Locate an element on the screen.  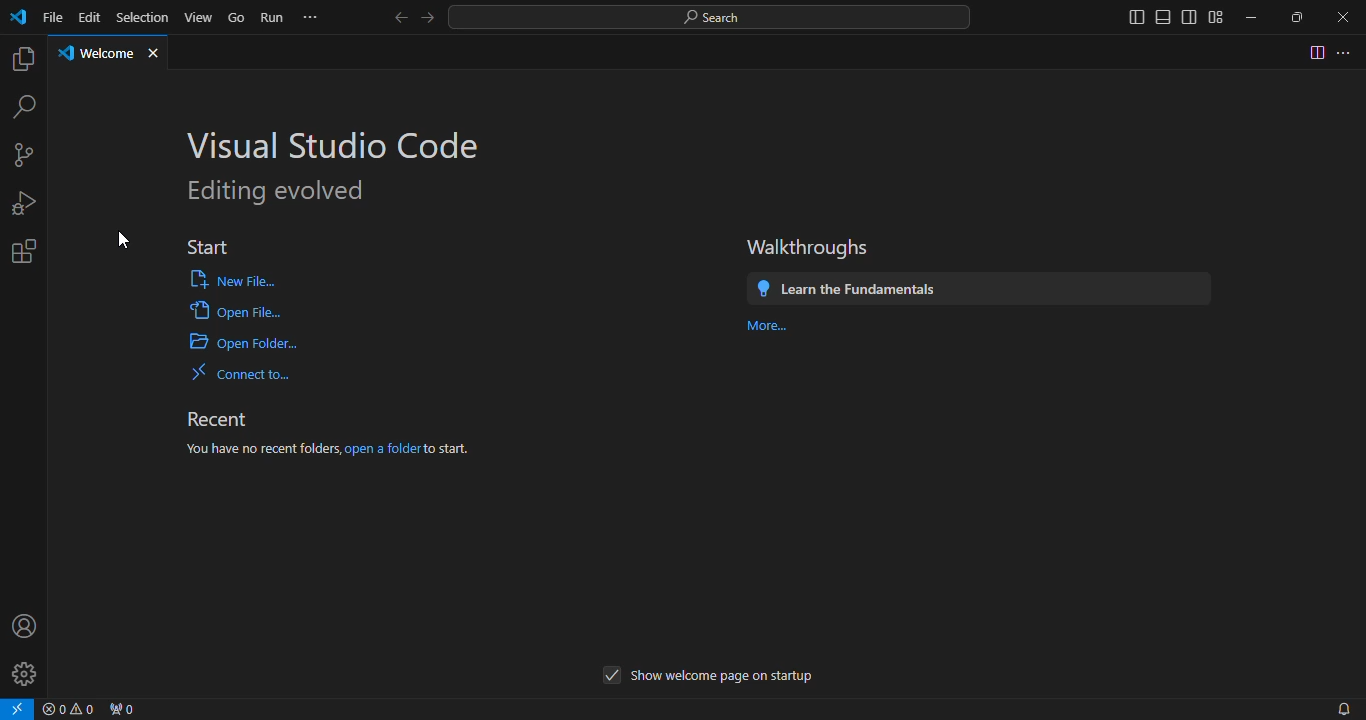
New File is located at coordinates (227, 280).